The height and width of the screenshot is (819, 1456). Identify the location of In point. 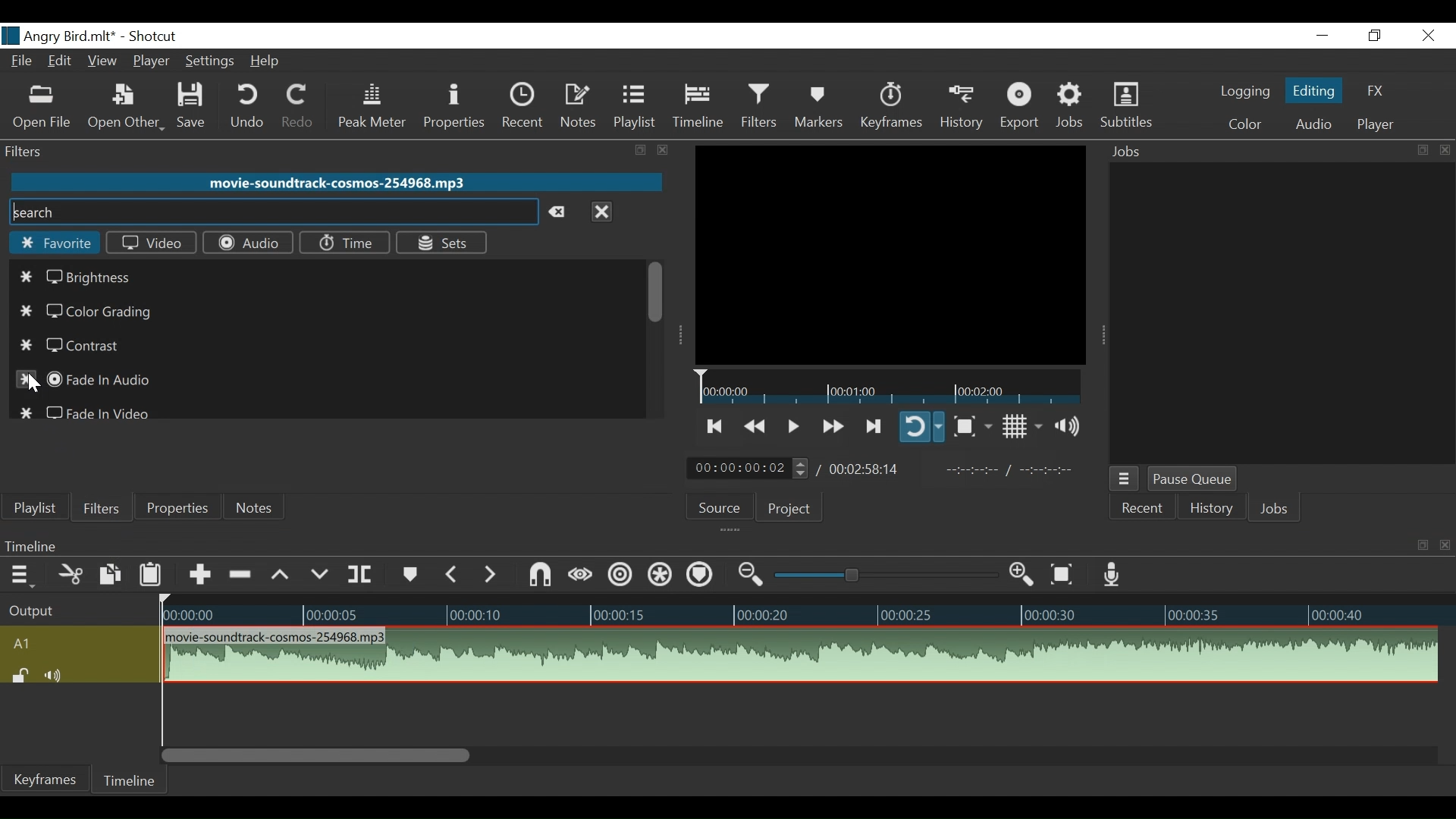
(1009, 472).